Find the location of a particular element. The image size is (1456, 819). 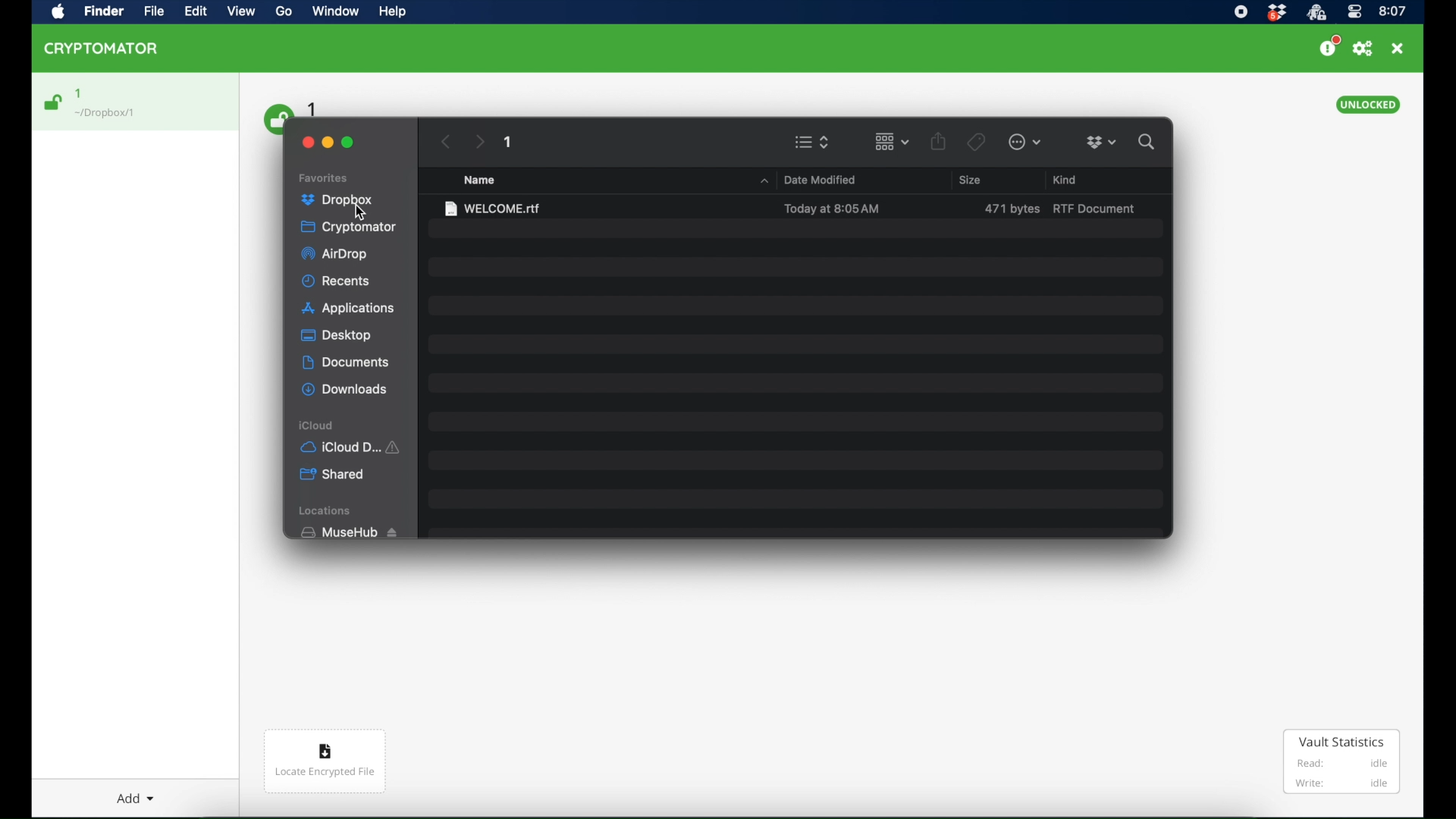

minimize is located at coordinates (329, 141).